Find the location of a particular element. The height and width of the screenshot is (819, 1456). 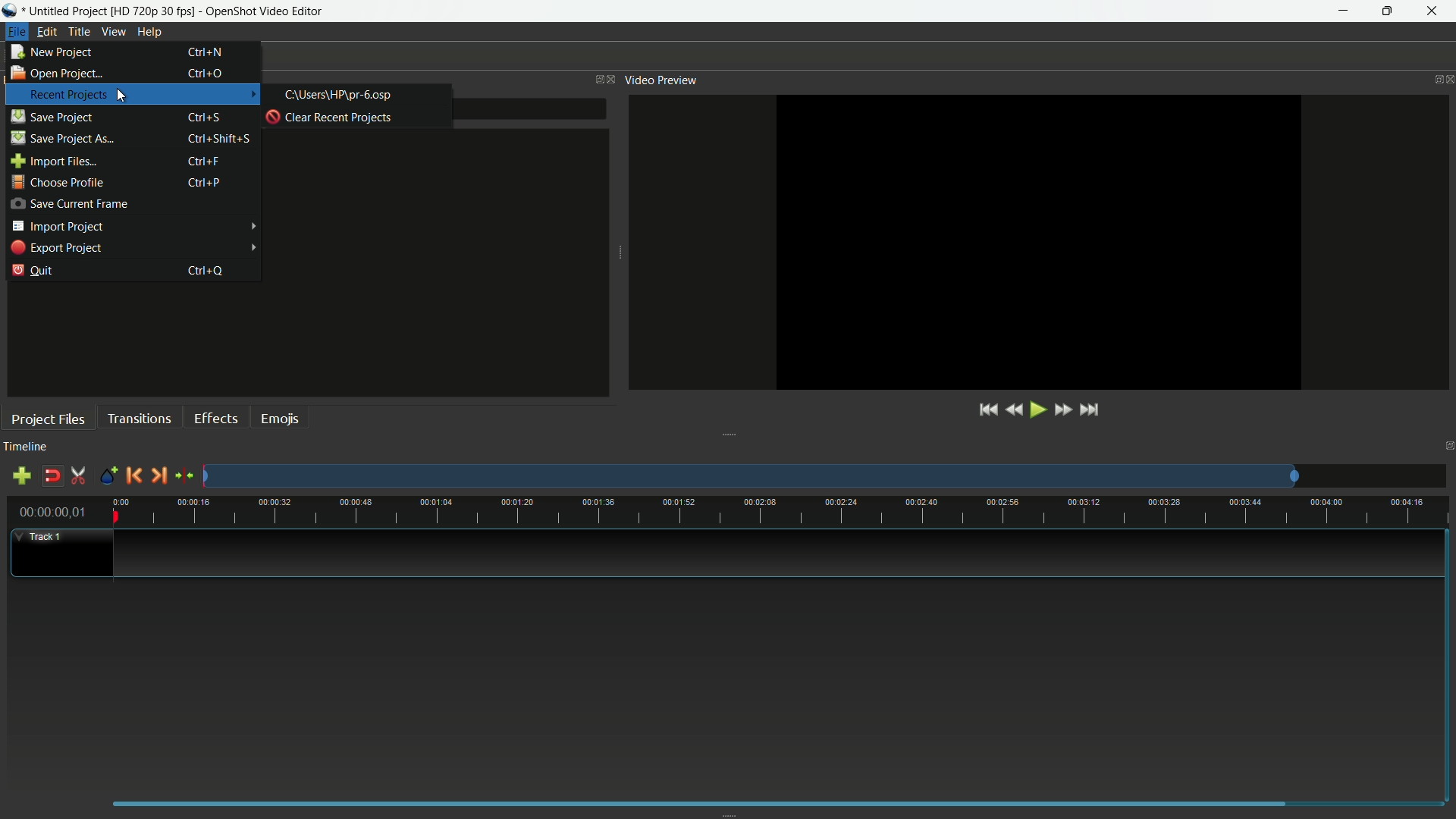

import project is located at coordinates (58, 226).